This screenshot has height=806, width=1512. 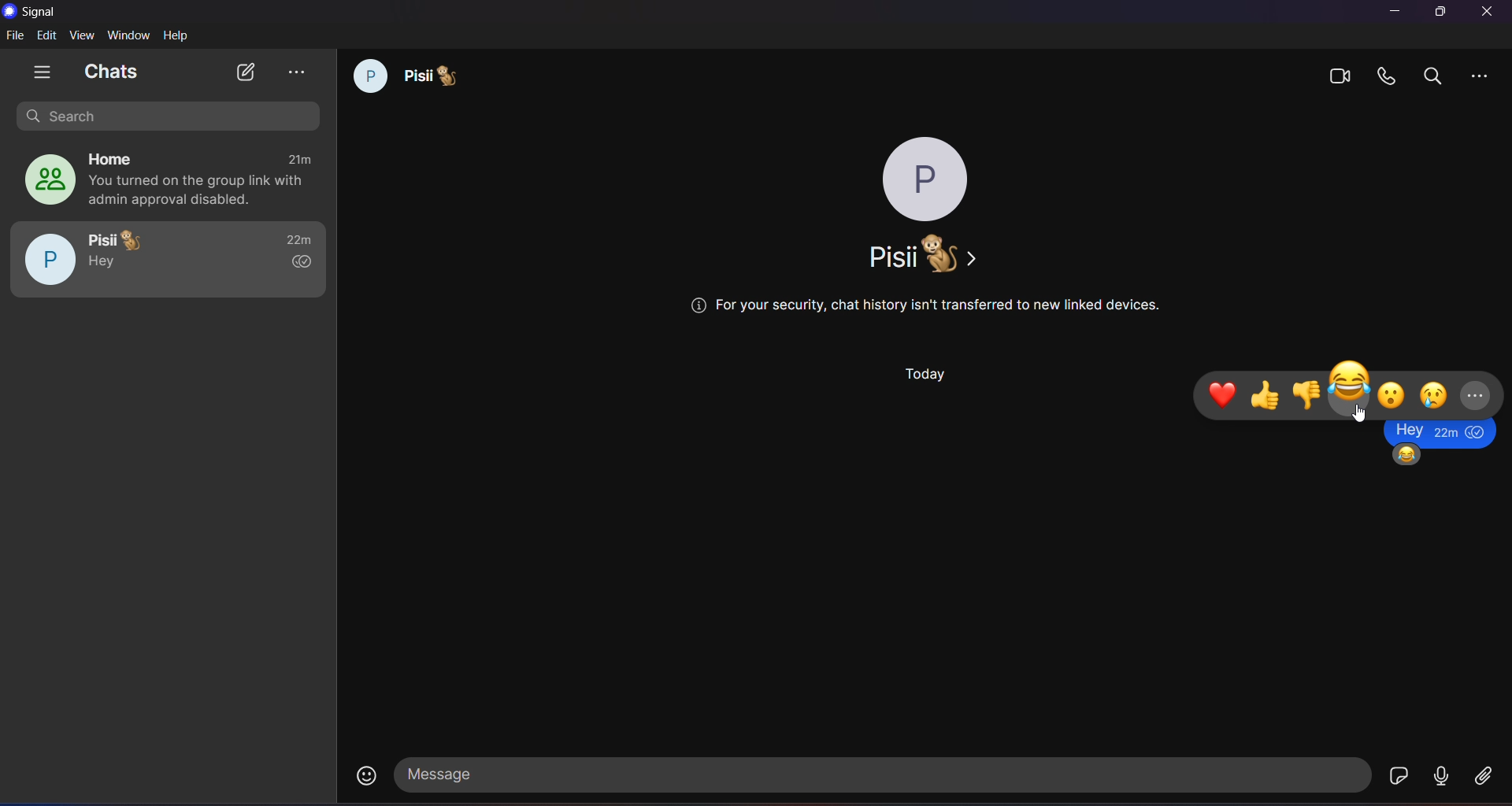 What do you see at coordinates (1359, 417) in the screenshot?
I see `Cursor` at bounding box center [1359, 417].